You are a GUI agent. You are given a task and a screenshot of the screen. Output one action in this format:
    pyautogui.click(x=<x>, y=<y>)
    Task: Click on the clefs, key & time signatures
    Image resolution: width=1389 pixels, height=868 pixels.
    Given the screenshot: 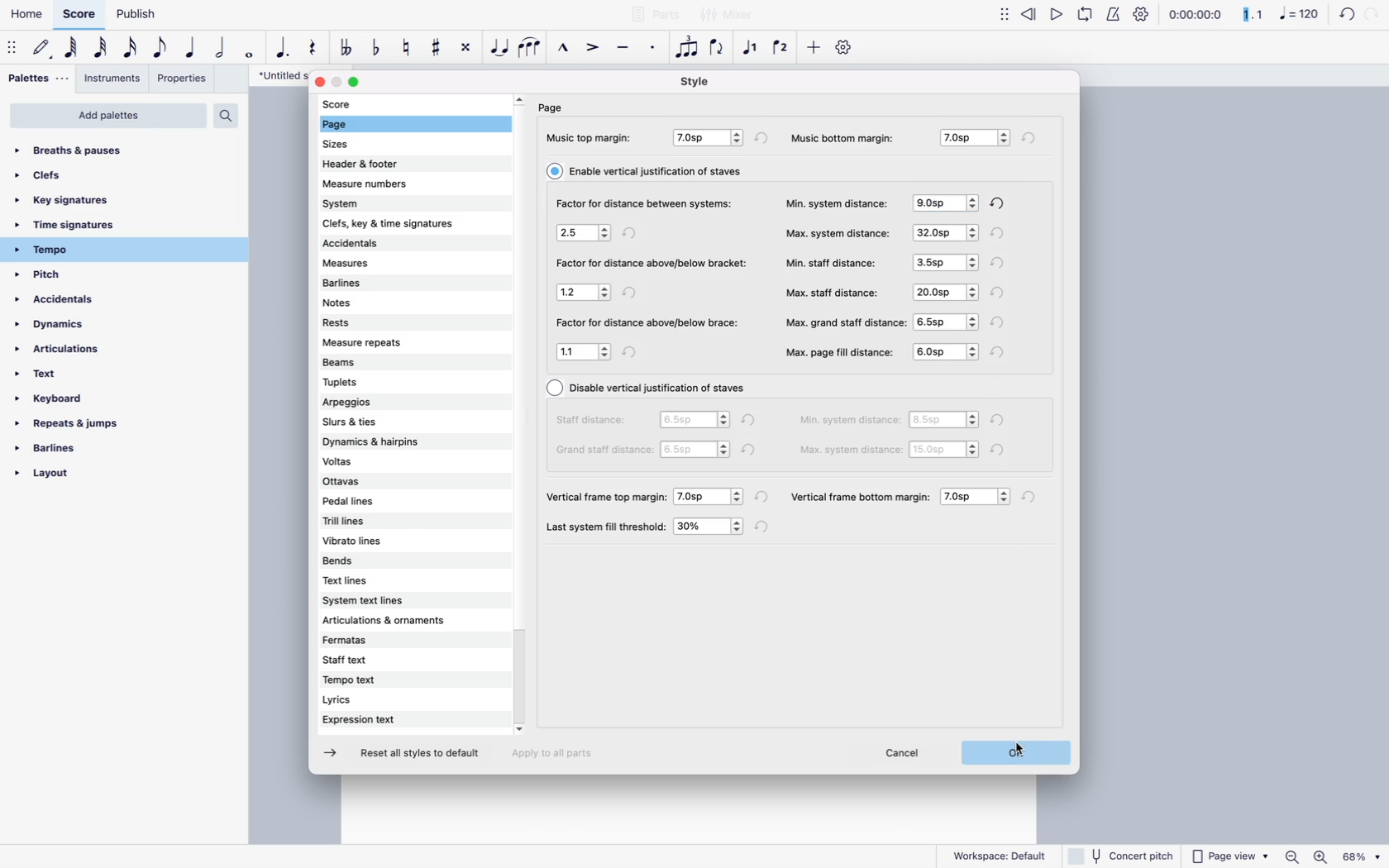 What is the action you would take?
    pyautogui.click(x=408, y=222)
    